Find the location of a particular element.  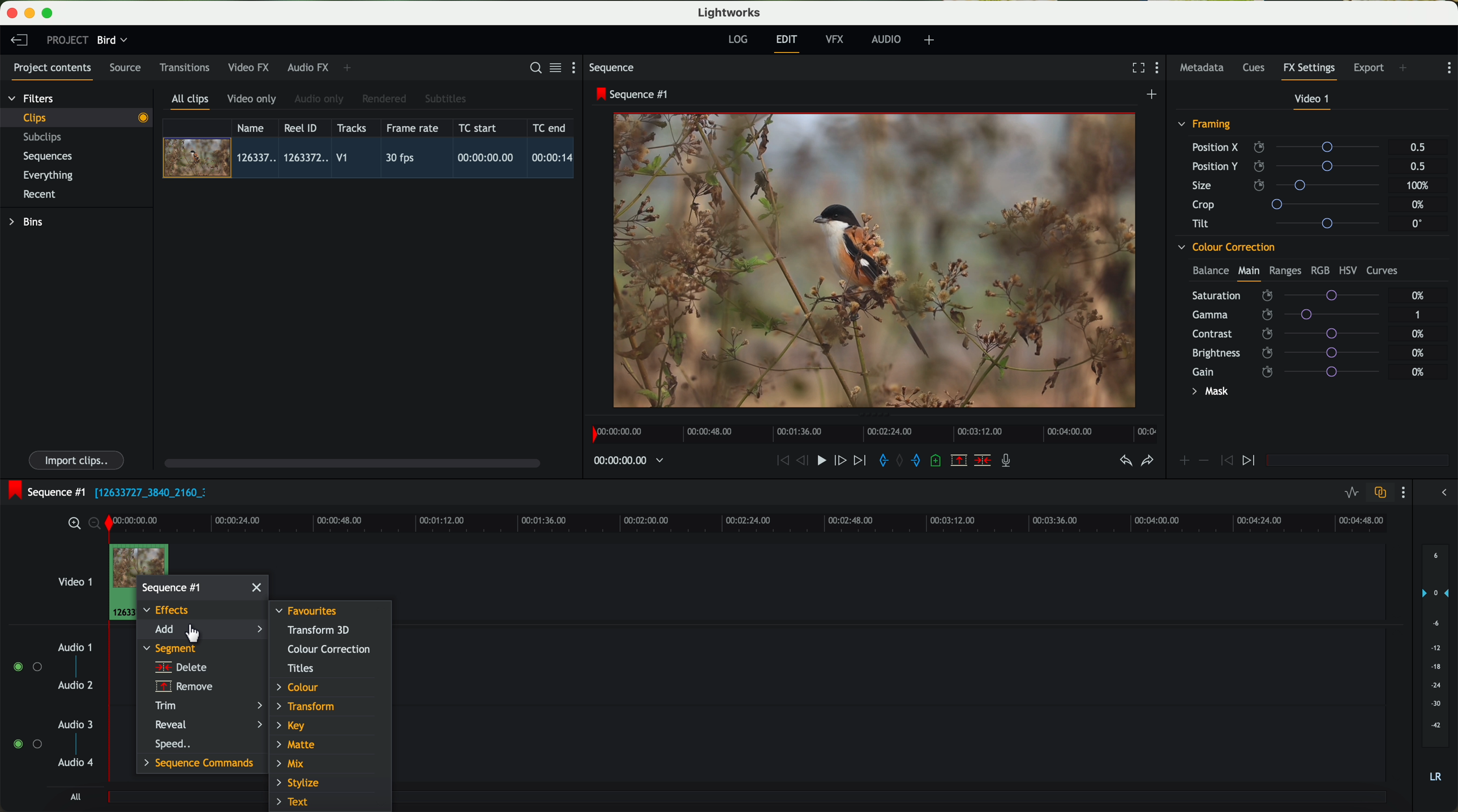

speed is located at coordinates (171, 744).